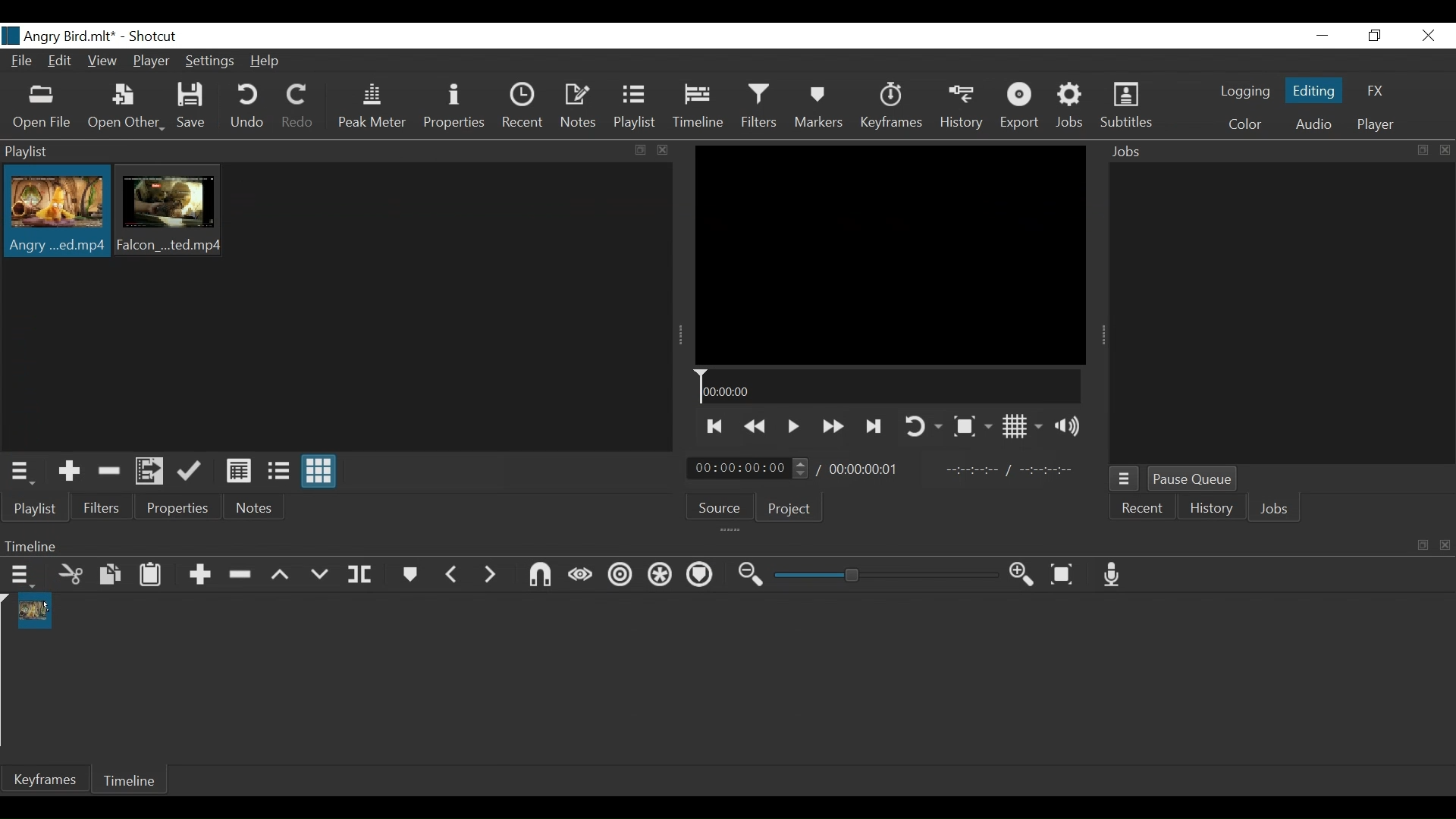 Image resolution: width=1456 pixels, height=819 pixels. What do you see at coordinates (35, 509) in the screenshot?
I see `Playlist` at bounding box center [35, 509].